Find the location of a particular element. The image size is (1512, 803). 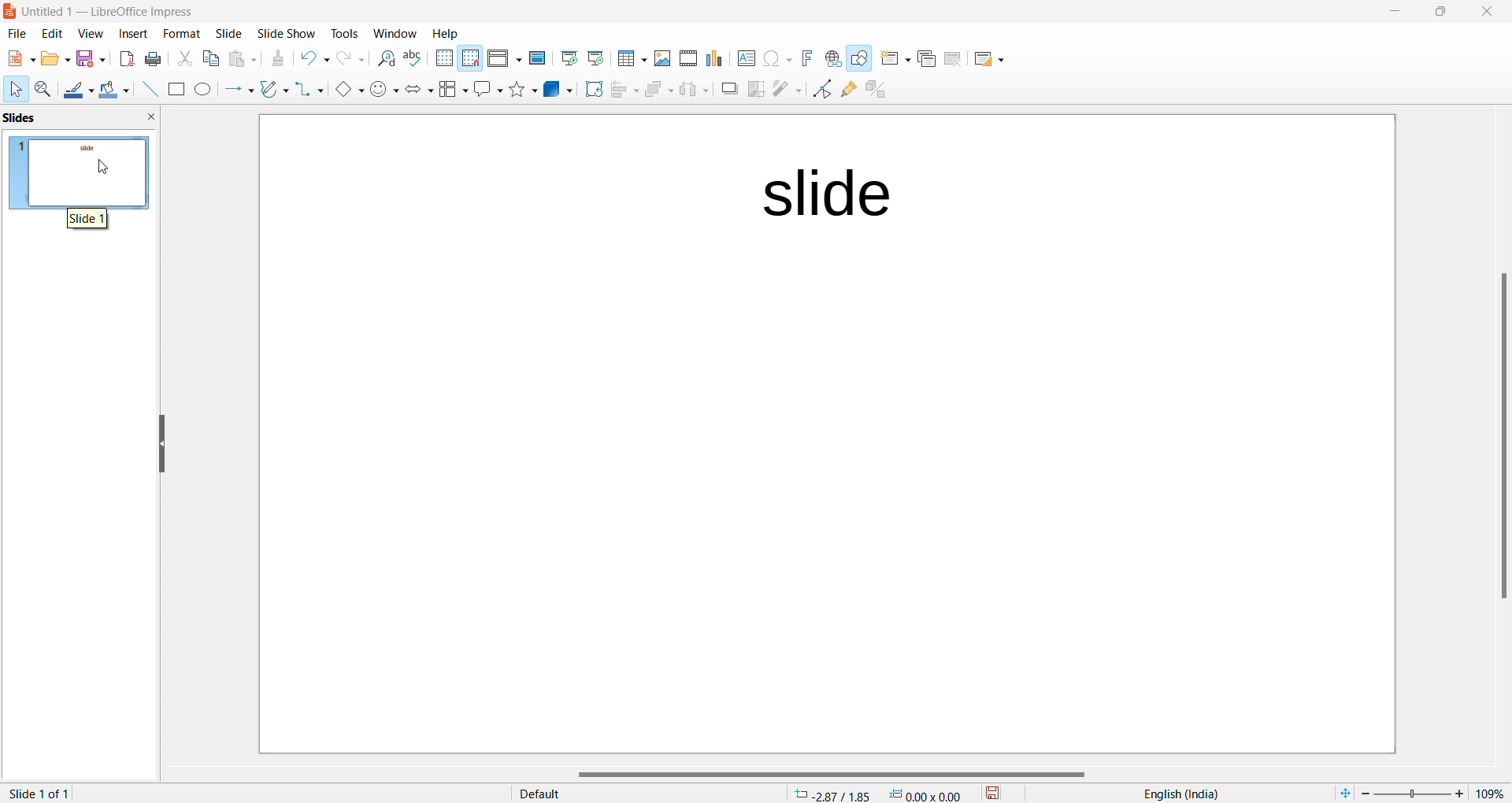

Window is located at coordinates (391, 31).